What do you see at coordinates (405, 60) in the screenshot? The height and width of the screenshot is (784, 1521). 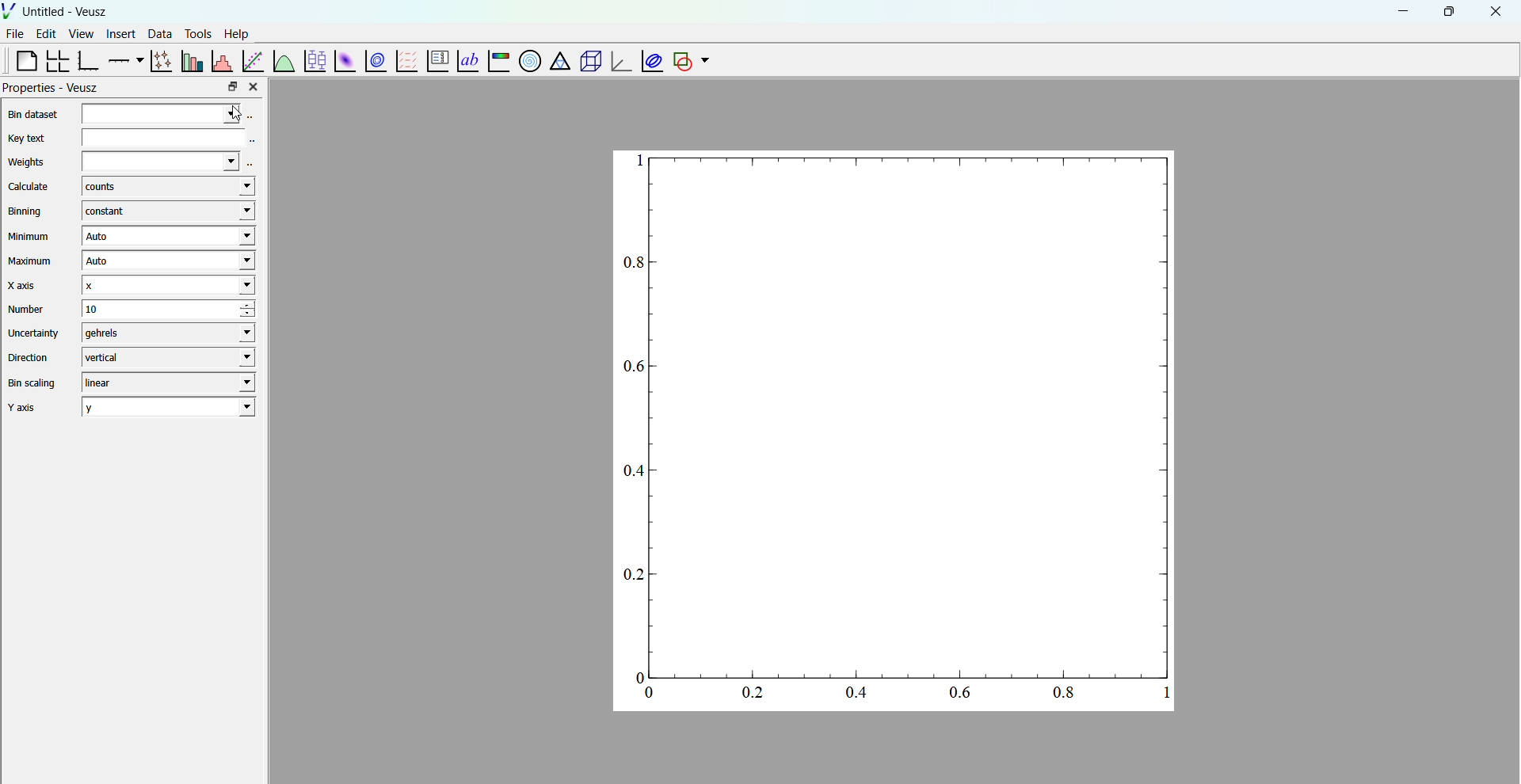 I see `plot a vector table` at bounding box center [405, 60].